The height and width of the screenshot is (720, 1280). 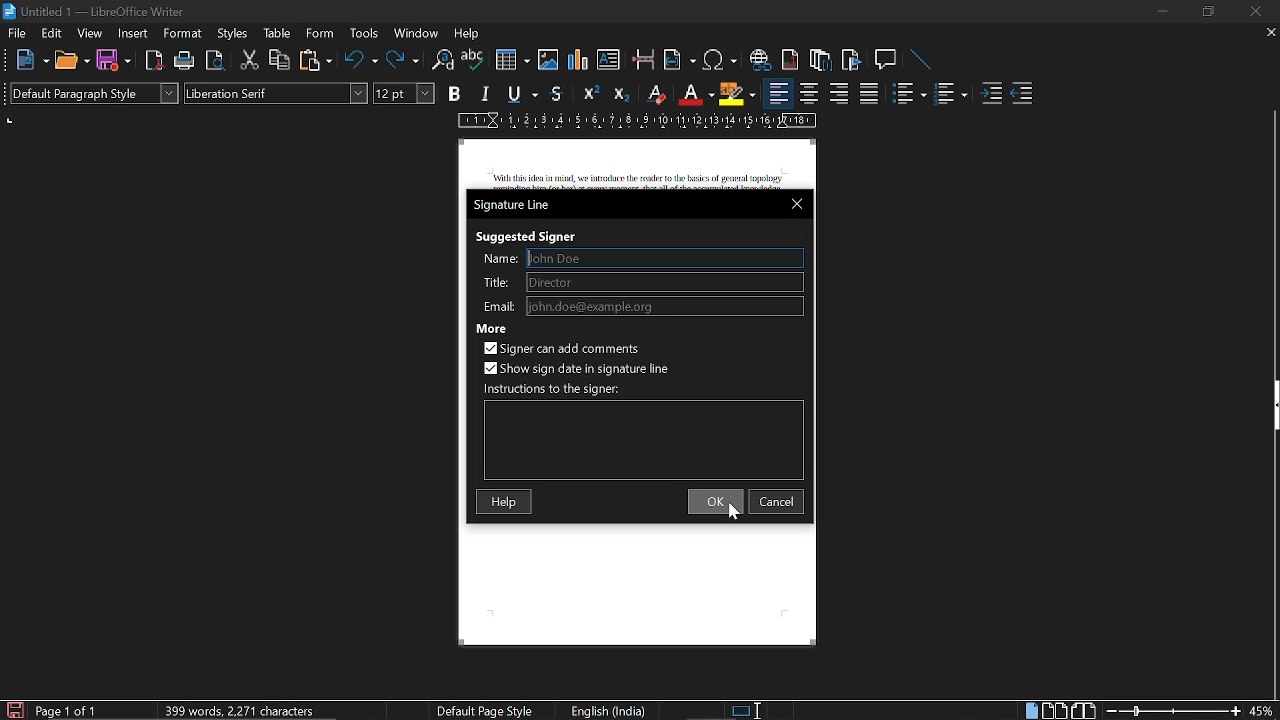 What do you see at coordinates (114, 60) in the screenshot?
I see `save` at bounding box center [114, 60].